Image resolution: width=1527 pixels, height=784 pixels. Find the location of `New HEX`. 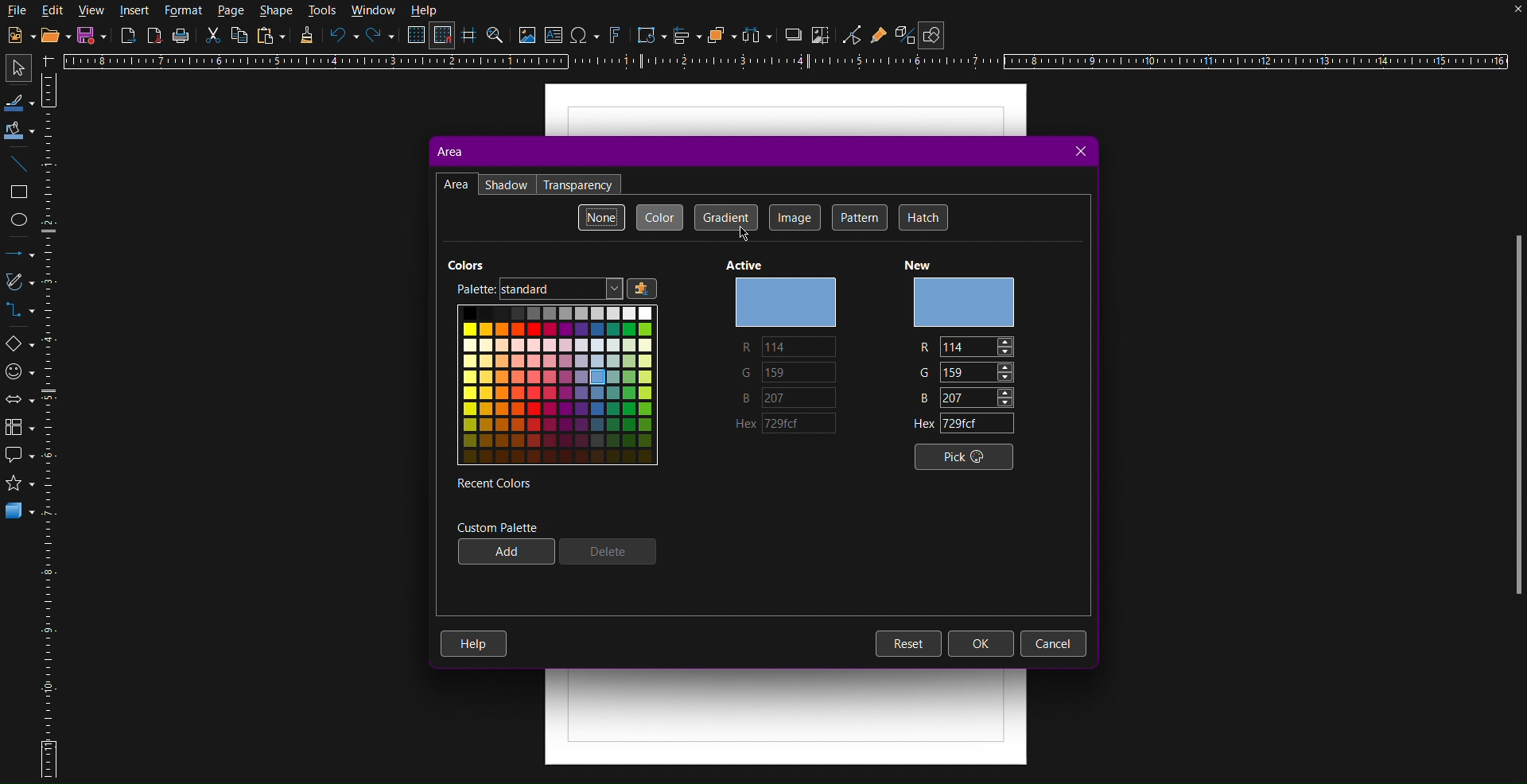

New HEX is located at coordinates (966, 425).